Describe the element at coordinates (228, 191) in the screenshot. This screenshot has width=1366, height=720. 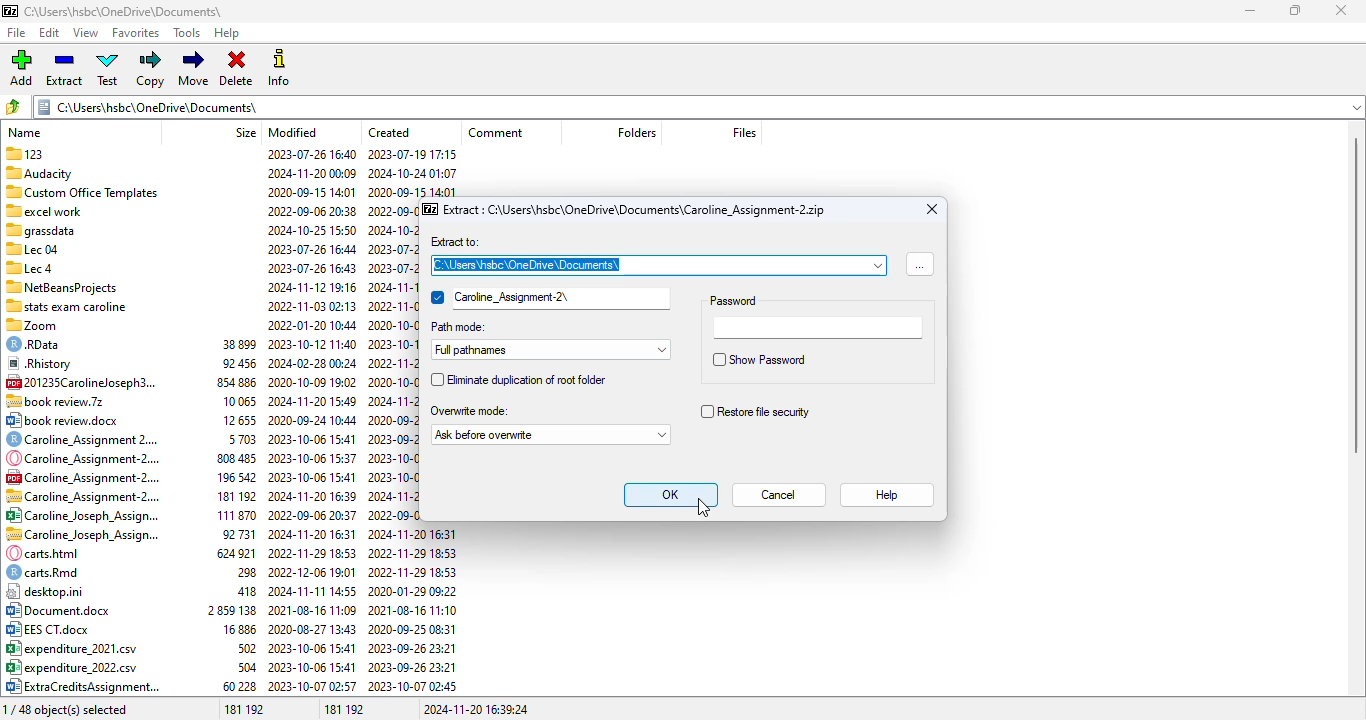
I see `| ™1 Custom Office Templates 2020-09-15 14:01 2020-09-15 14:01` at that location.